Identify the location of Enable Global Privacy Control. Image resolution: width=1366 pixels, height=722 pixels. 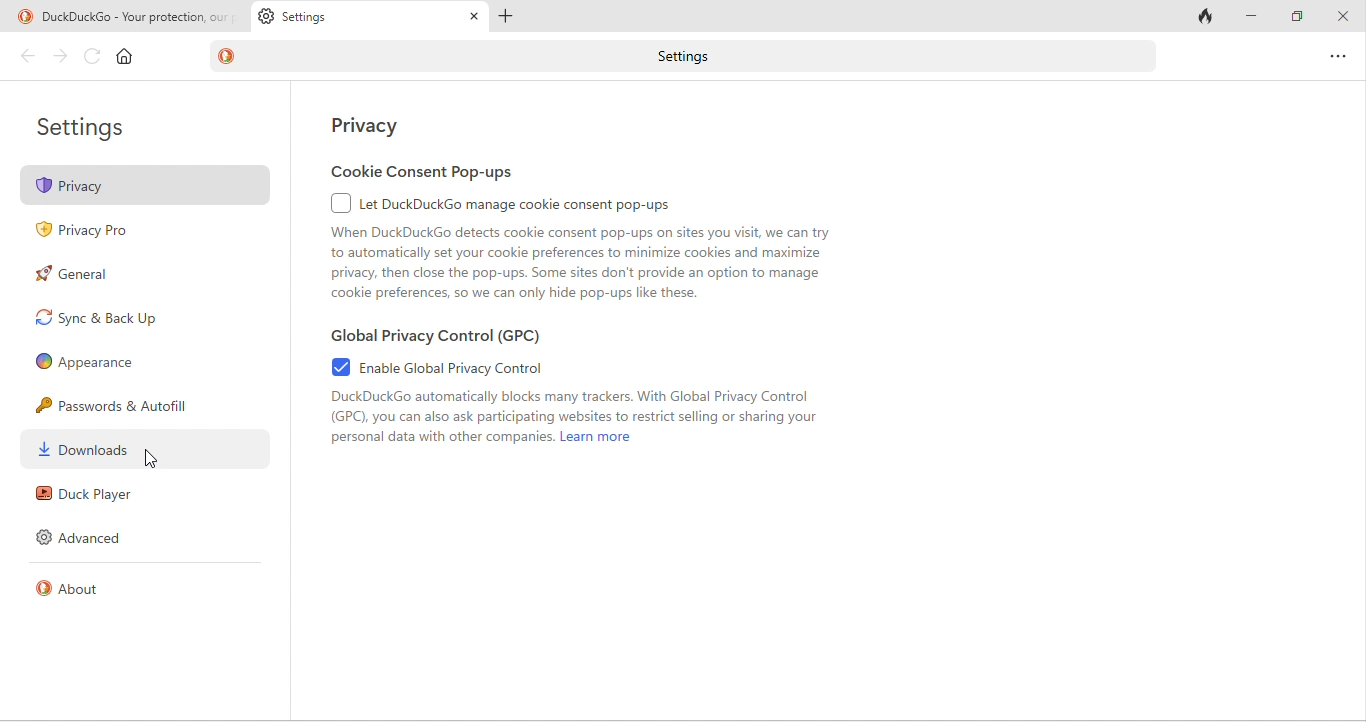
(457, 367).